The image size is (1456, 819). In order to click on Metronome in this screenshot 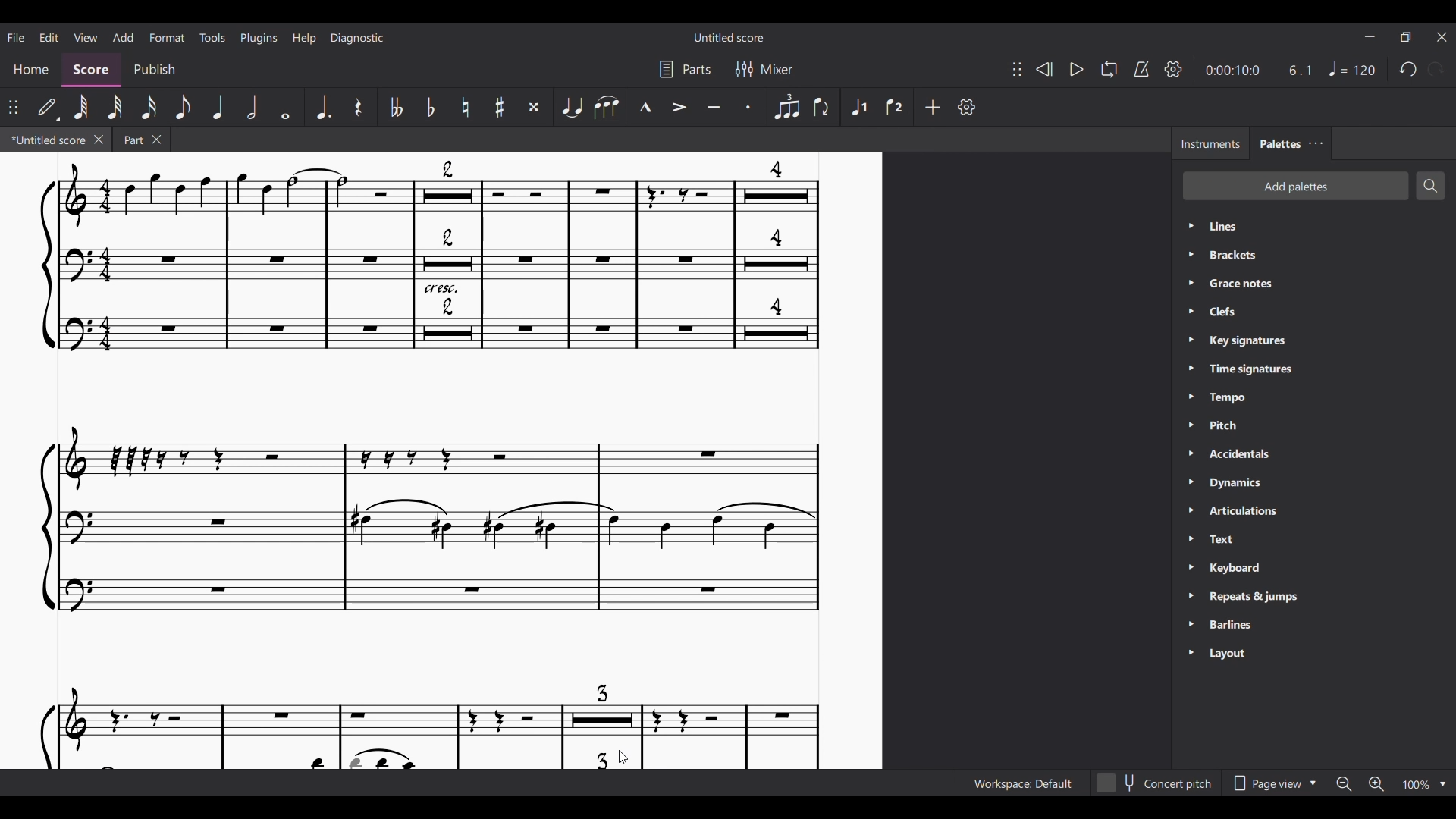, I will do `click(1141, 69)`.